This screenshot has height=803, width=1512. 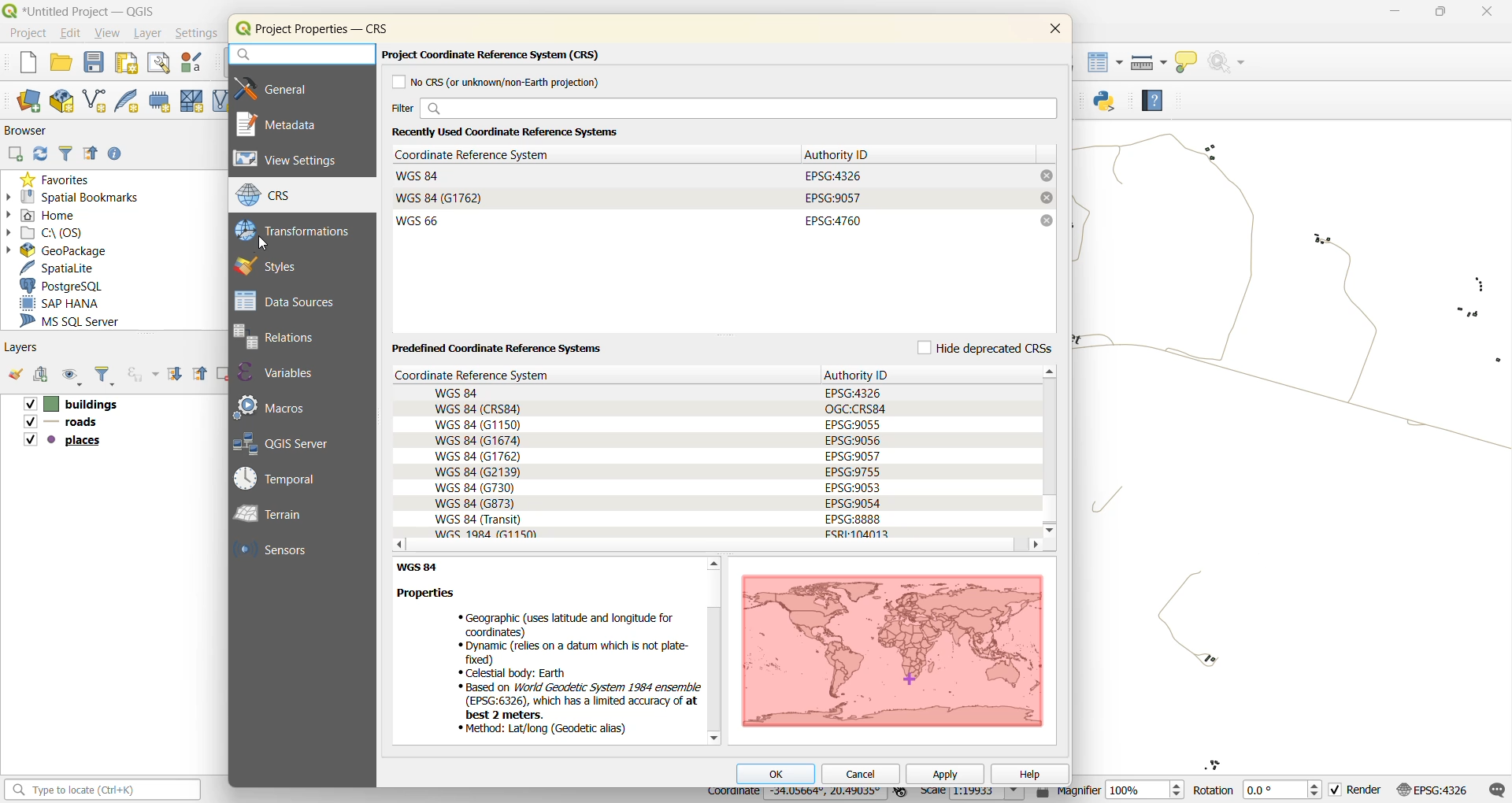 What do you see at coordinates (220, 101) in the screenshot?
I see `new virtual layout` at bounding box center [220, 101].